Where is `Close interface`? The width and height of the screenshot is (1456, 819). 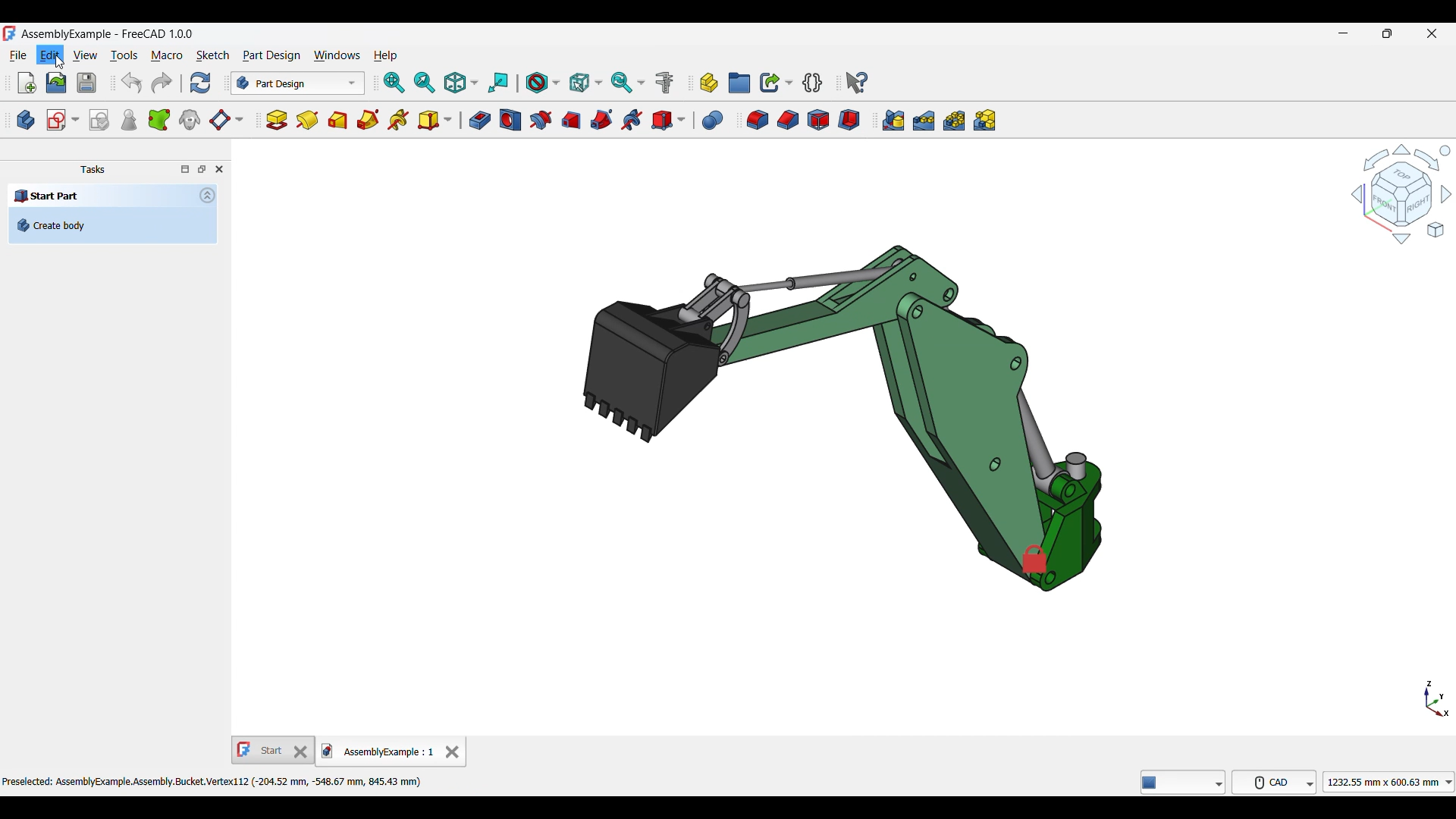
Close interface is located at coordinates (1432, 34).